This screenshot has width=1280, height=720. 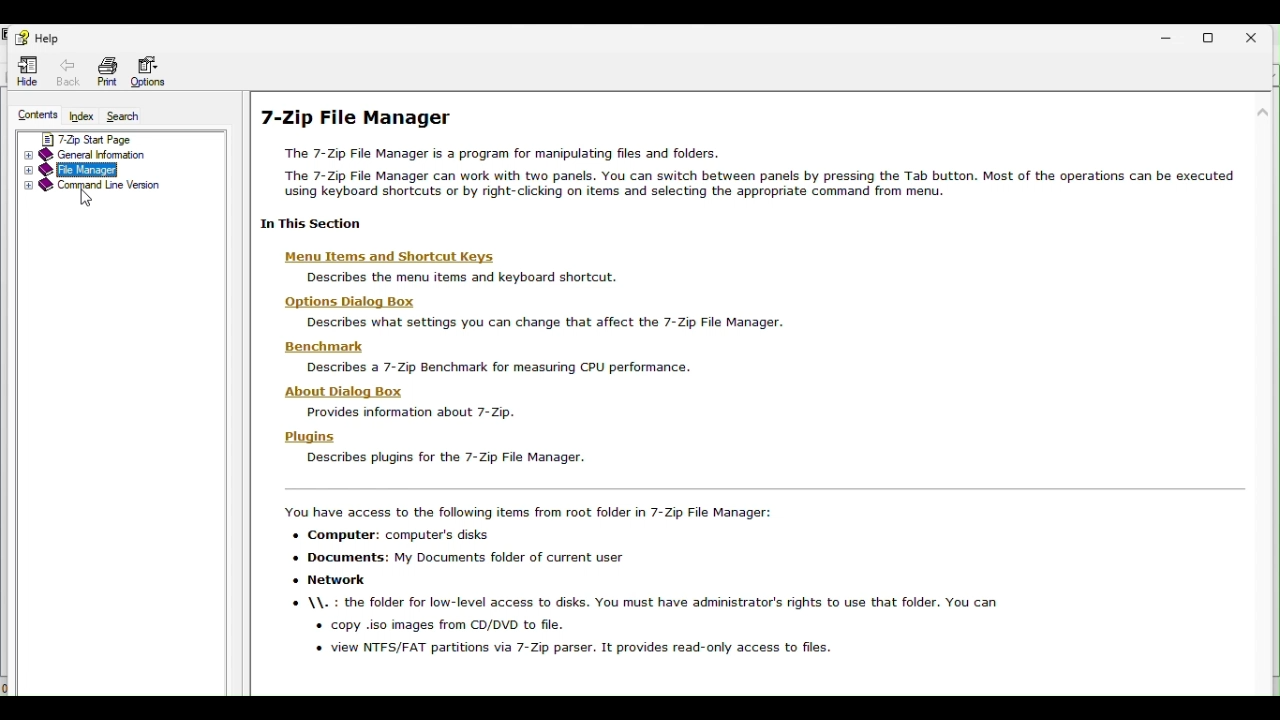 I want to click on File manager, so click(x=80, y=171).